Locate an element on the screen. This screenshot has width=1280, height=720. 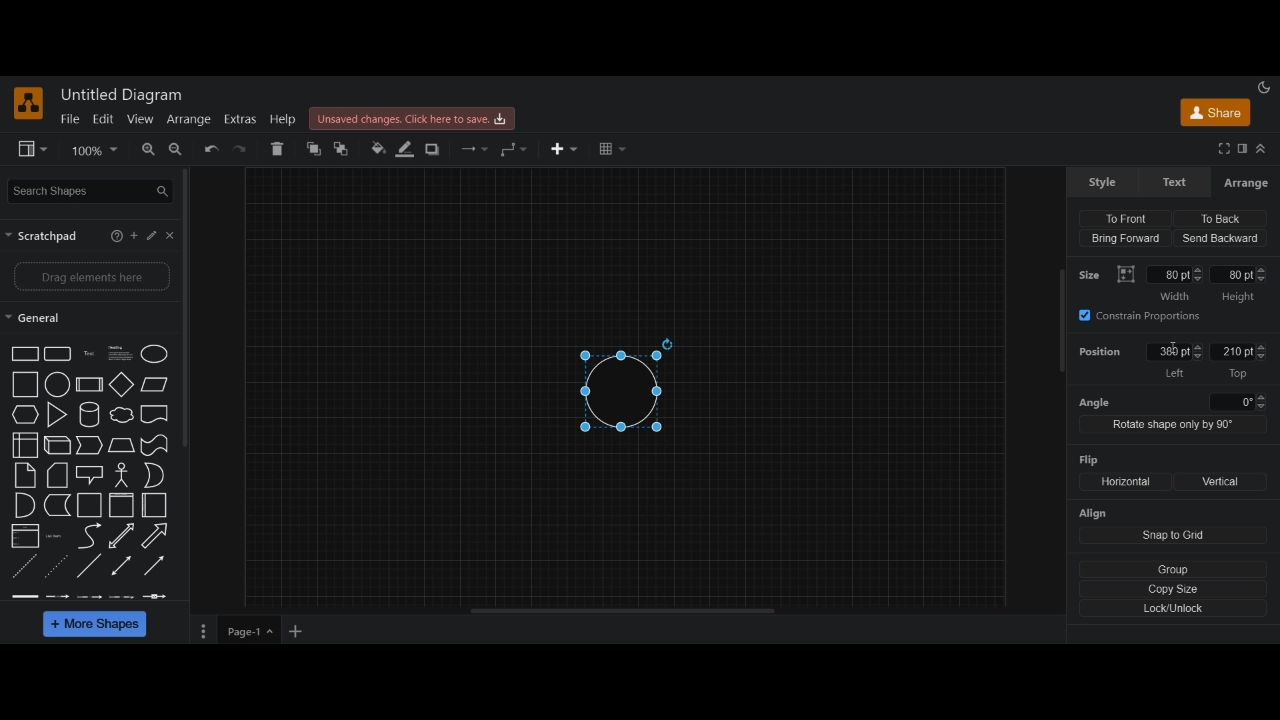
Draw.io logo is located at coordinates (29, 103).